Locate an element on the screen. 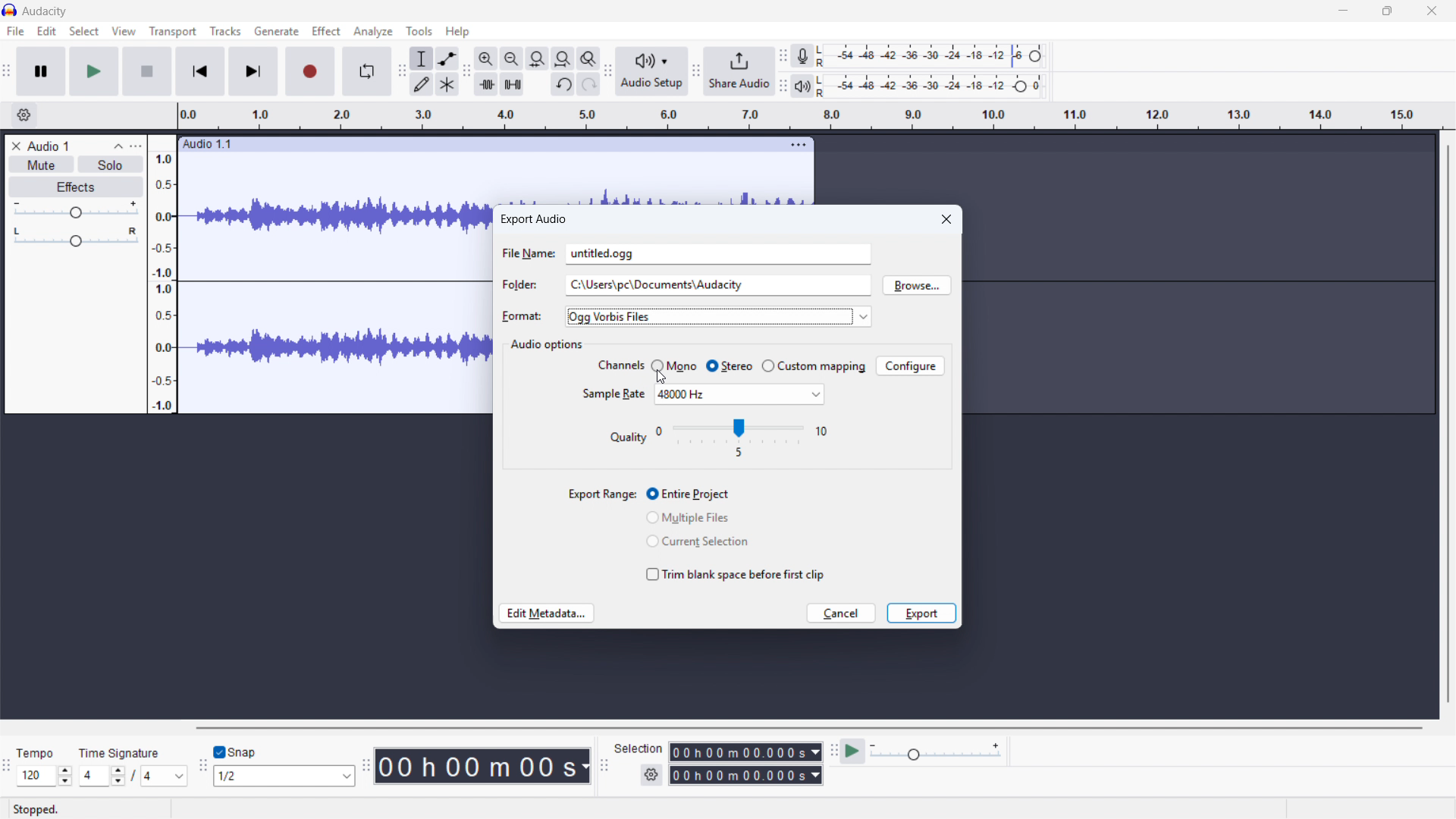 The image size is (1456, 819). Set snapping  is located at coordinates (284, 776).